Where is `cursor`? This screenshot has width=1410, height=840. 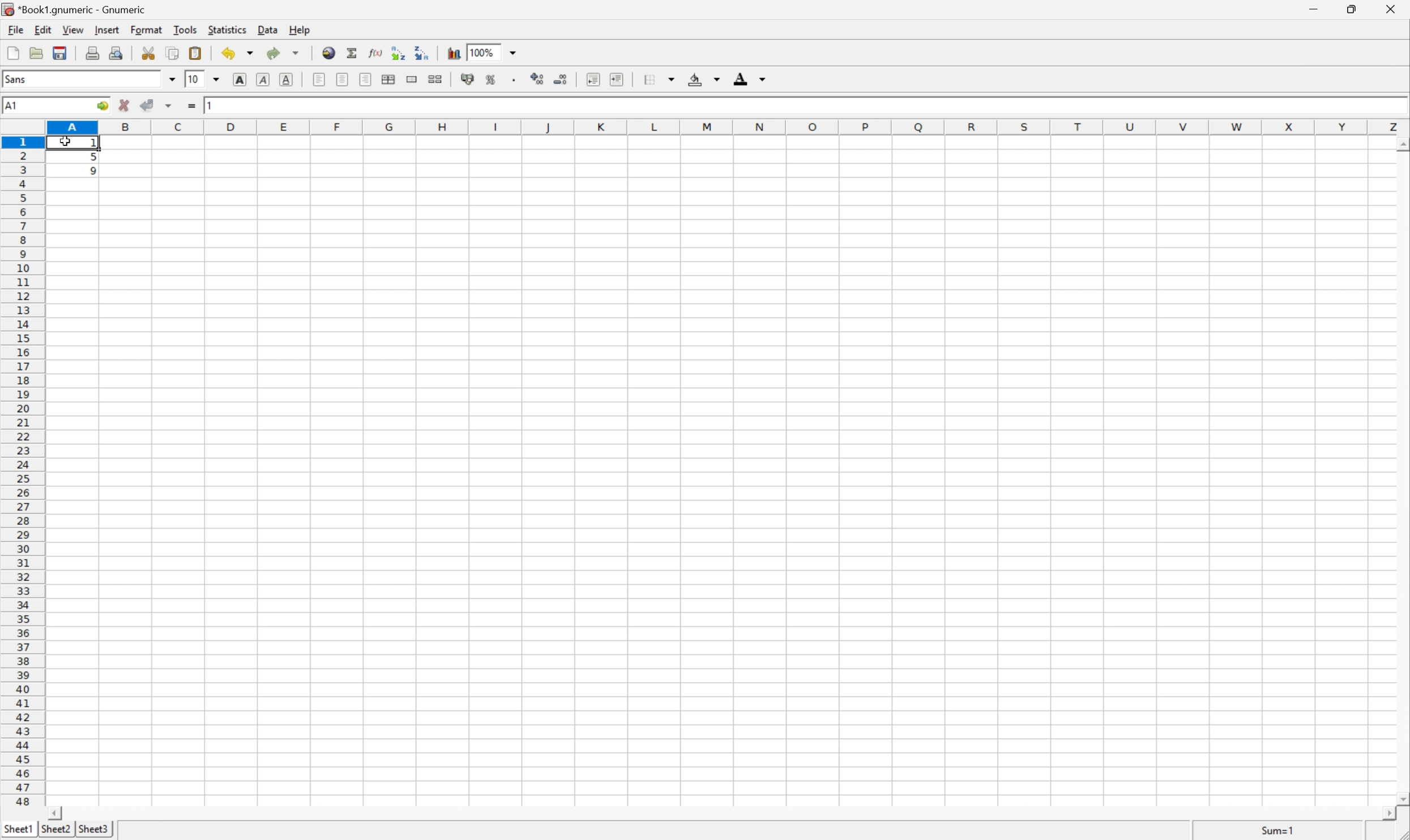 cursor is located at coordinates (65, 142).